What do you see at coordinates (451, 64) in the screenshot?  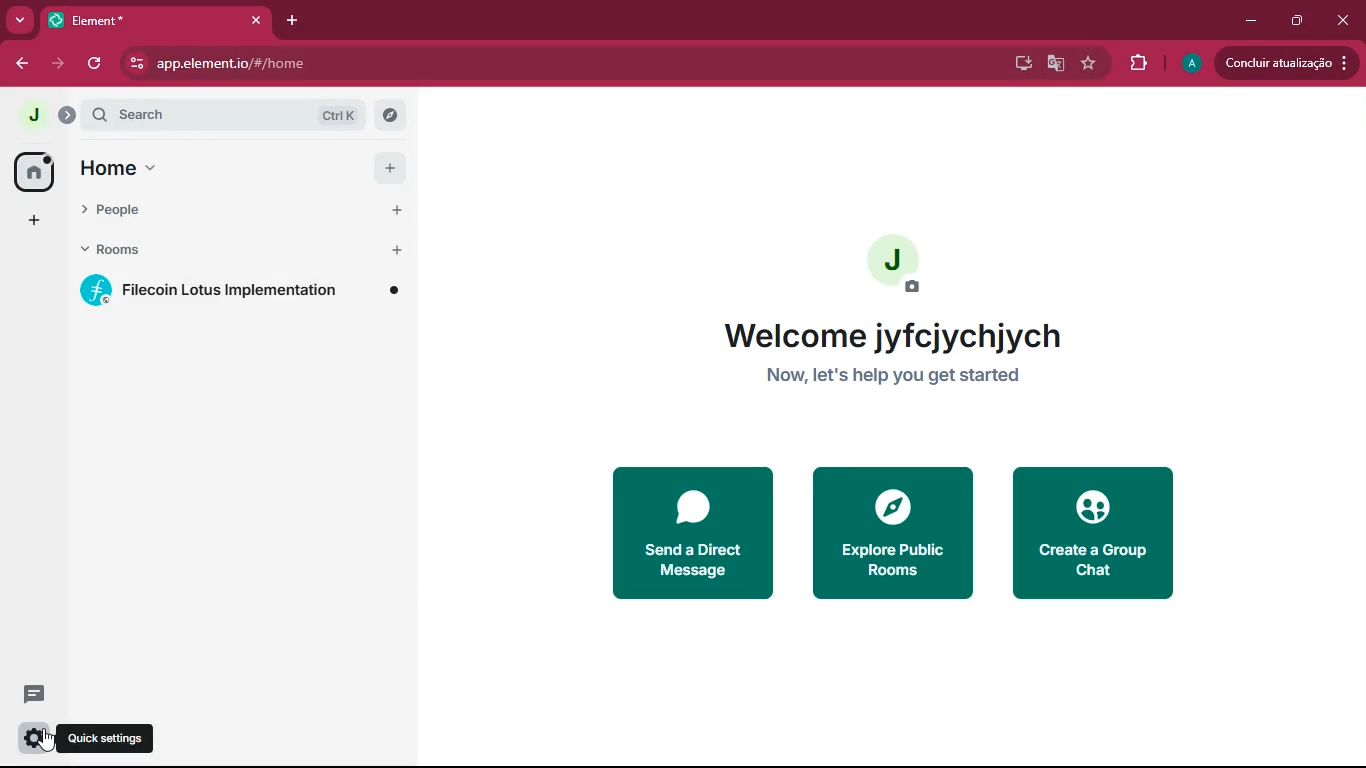 I see `app.elementio/#/home` at bounding box center [451, 64].